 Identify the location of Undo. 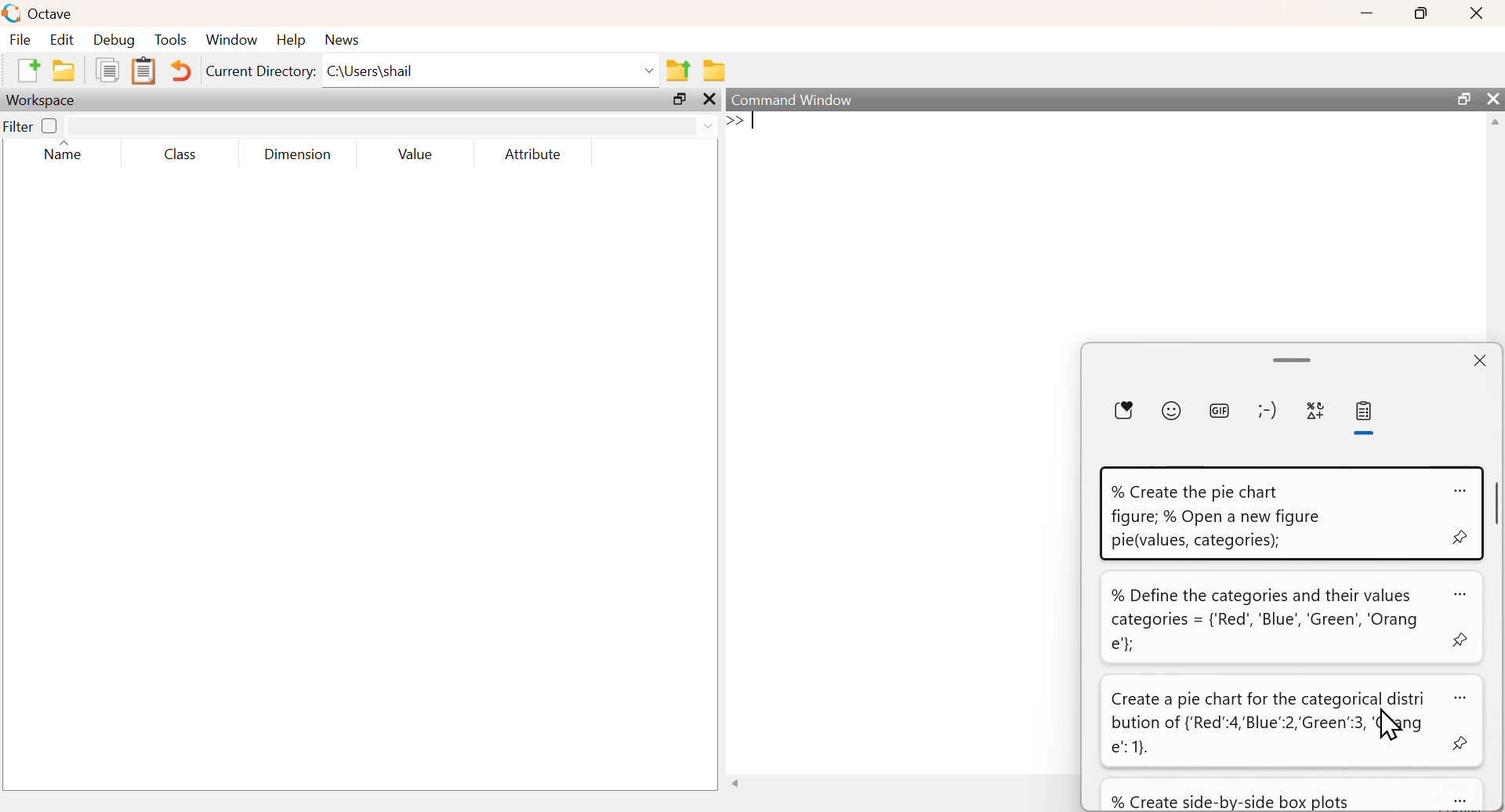
(182, 70).